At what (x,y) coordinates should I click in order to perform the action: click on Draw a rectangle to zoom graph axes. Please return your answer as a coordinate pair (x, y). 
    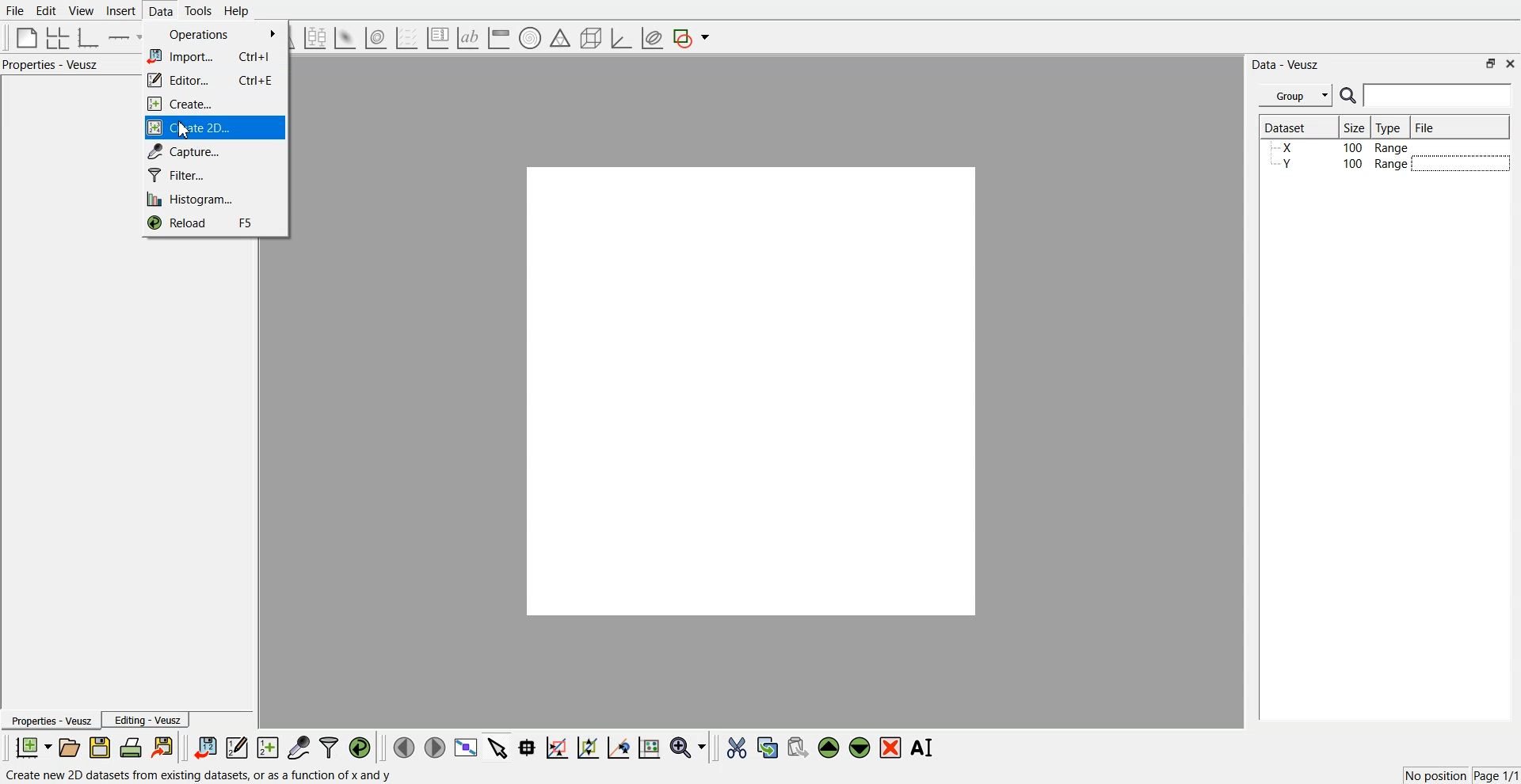
    Looking at the image, I should click on (556, 748).